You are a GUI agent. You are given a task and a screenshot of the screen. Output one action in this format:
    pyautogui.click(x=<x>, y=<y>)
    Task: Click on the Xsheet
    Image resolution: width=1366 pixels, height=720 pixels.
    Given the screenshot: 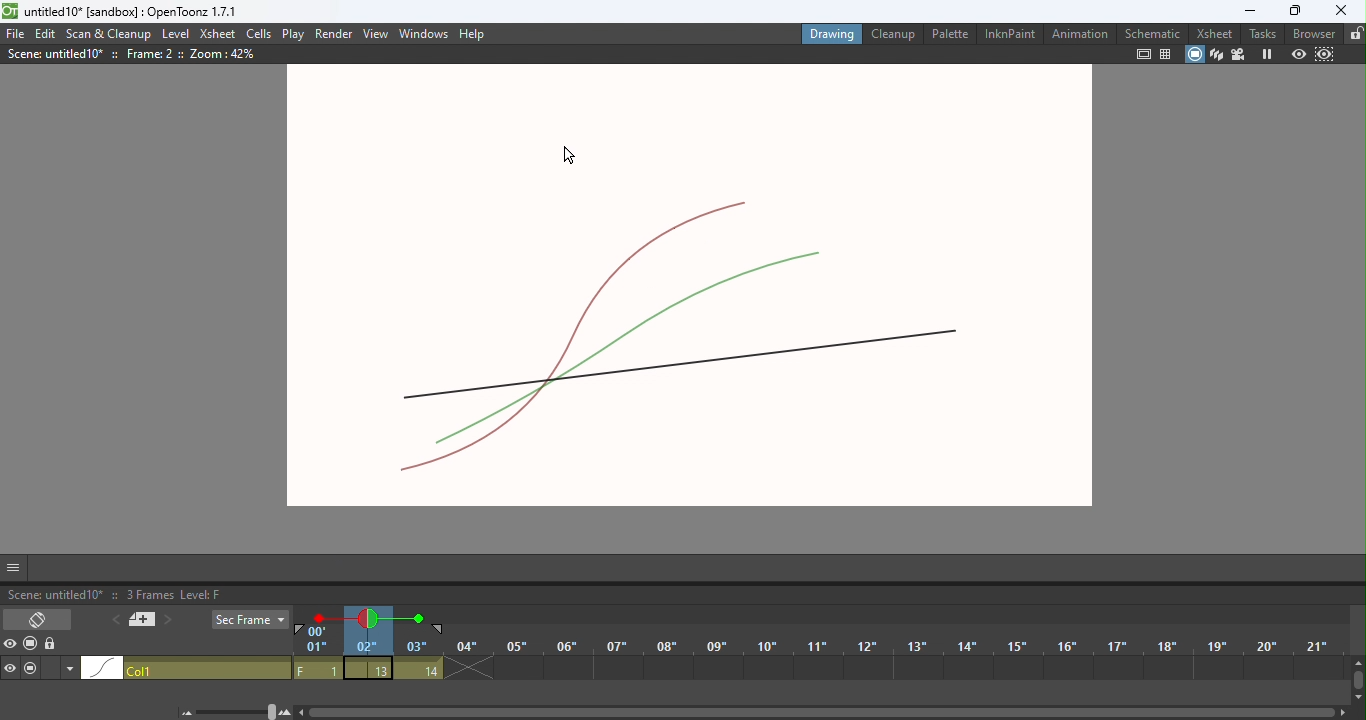 What is the action you would take?
    pyautogui.click(x=1213, y=32)
    